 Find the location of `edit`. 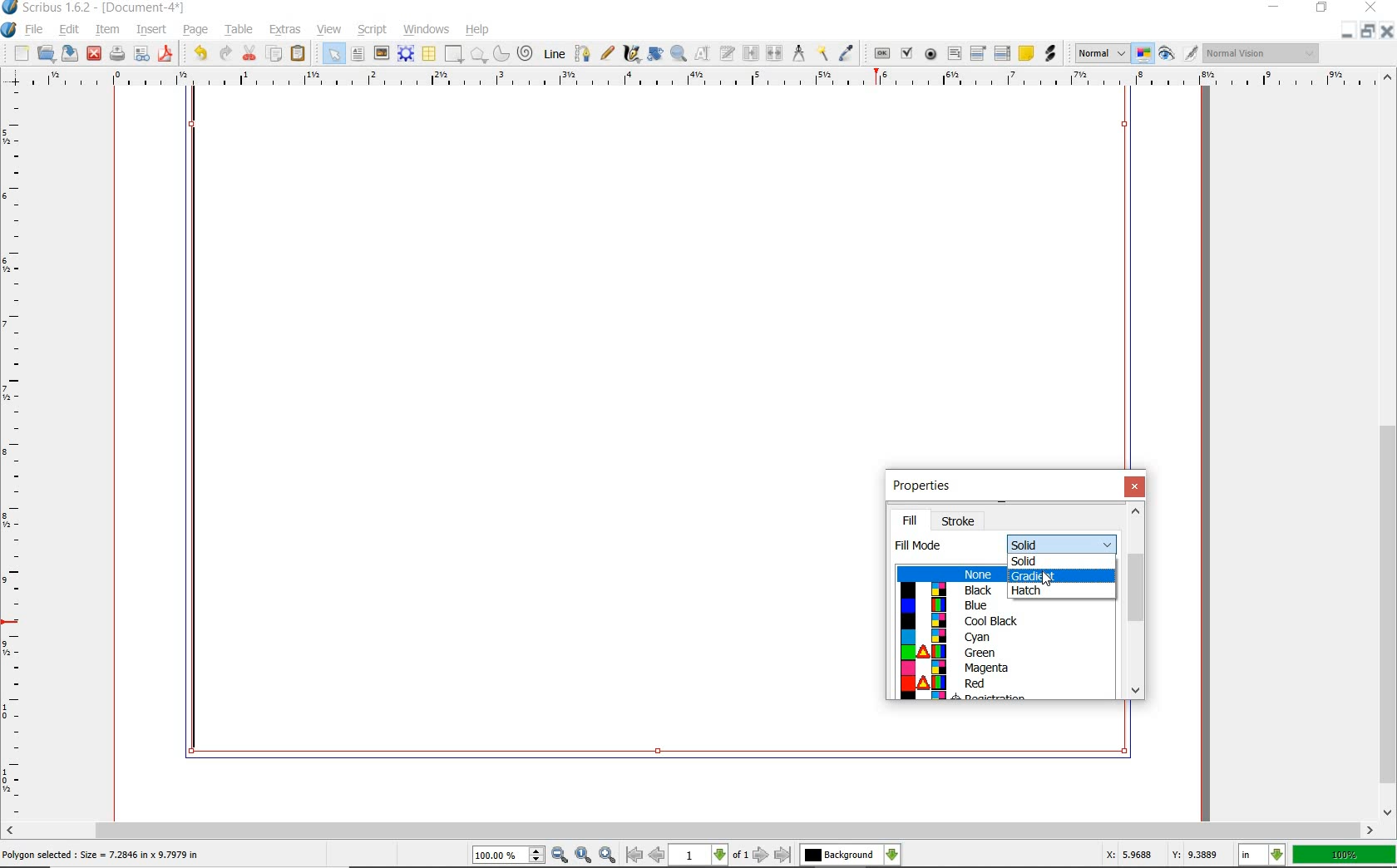

edit is located at coordinates (70, 29).